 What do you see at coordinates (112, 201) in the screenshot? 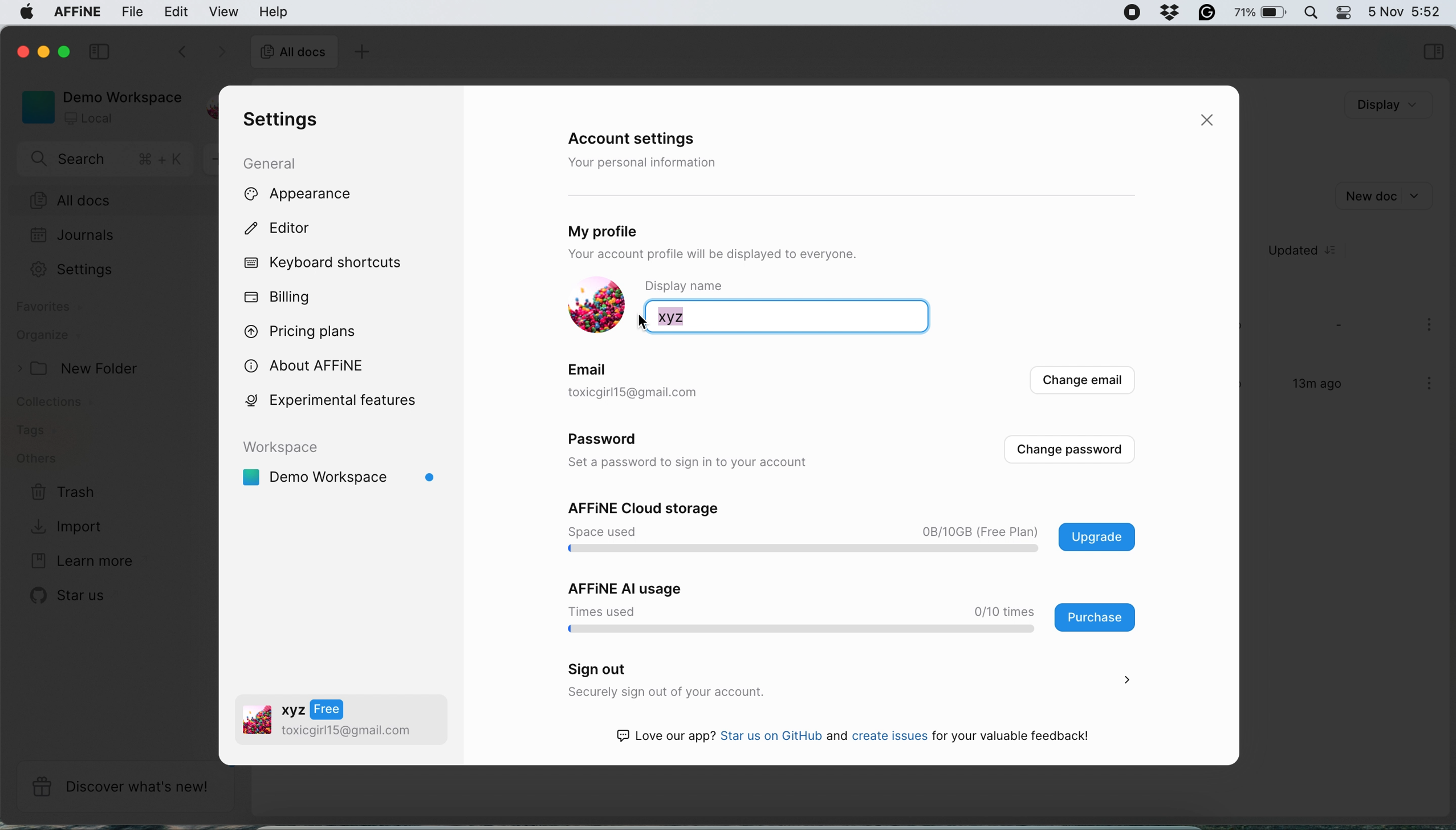
I see `all docs` at bounding box center [112, 201].